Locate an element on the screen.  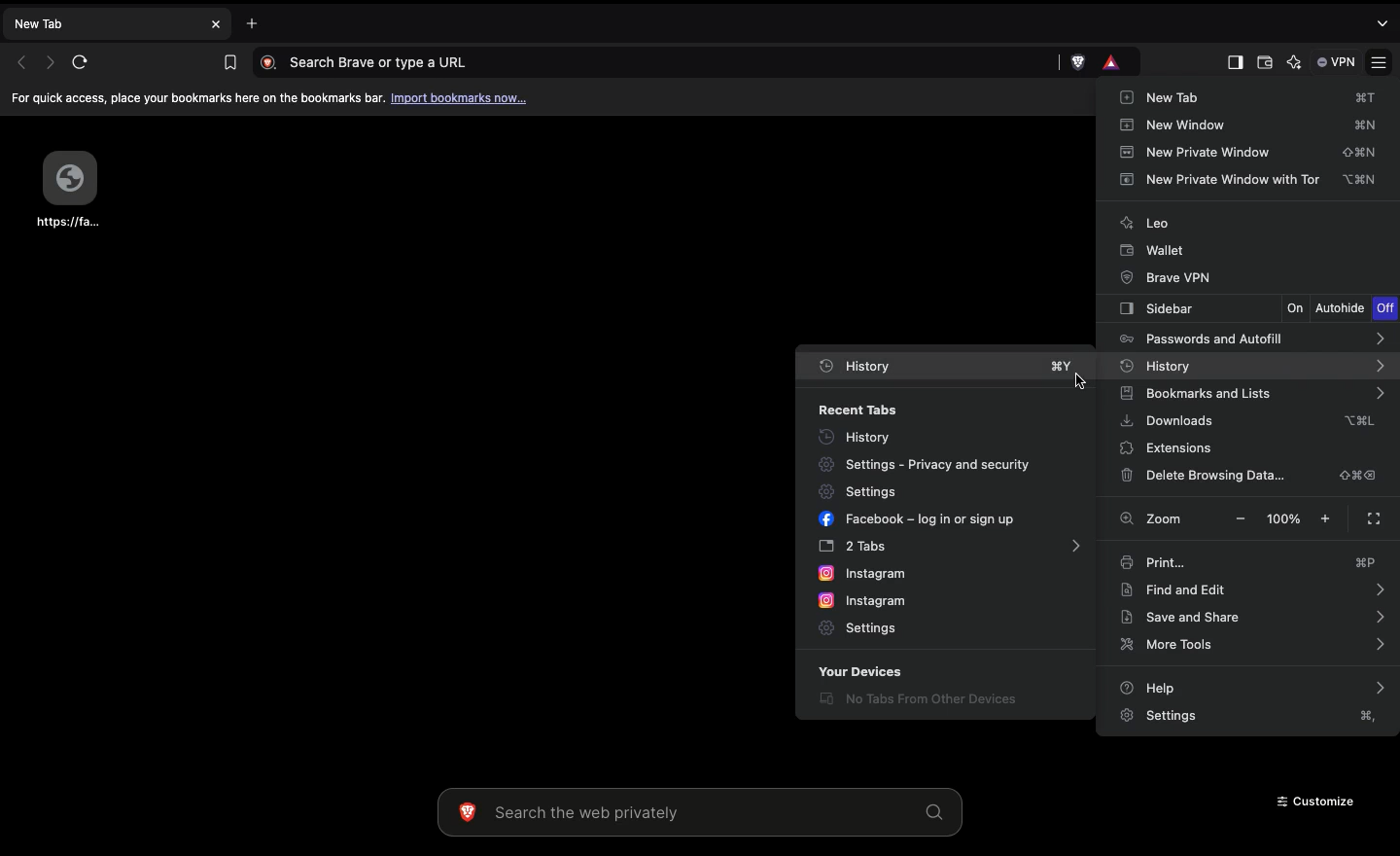
Downloads is located at coordinates (1238, 422).